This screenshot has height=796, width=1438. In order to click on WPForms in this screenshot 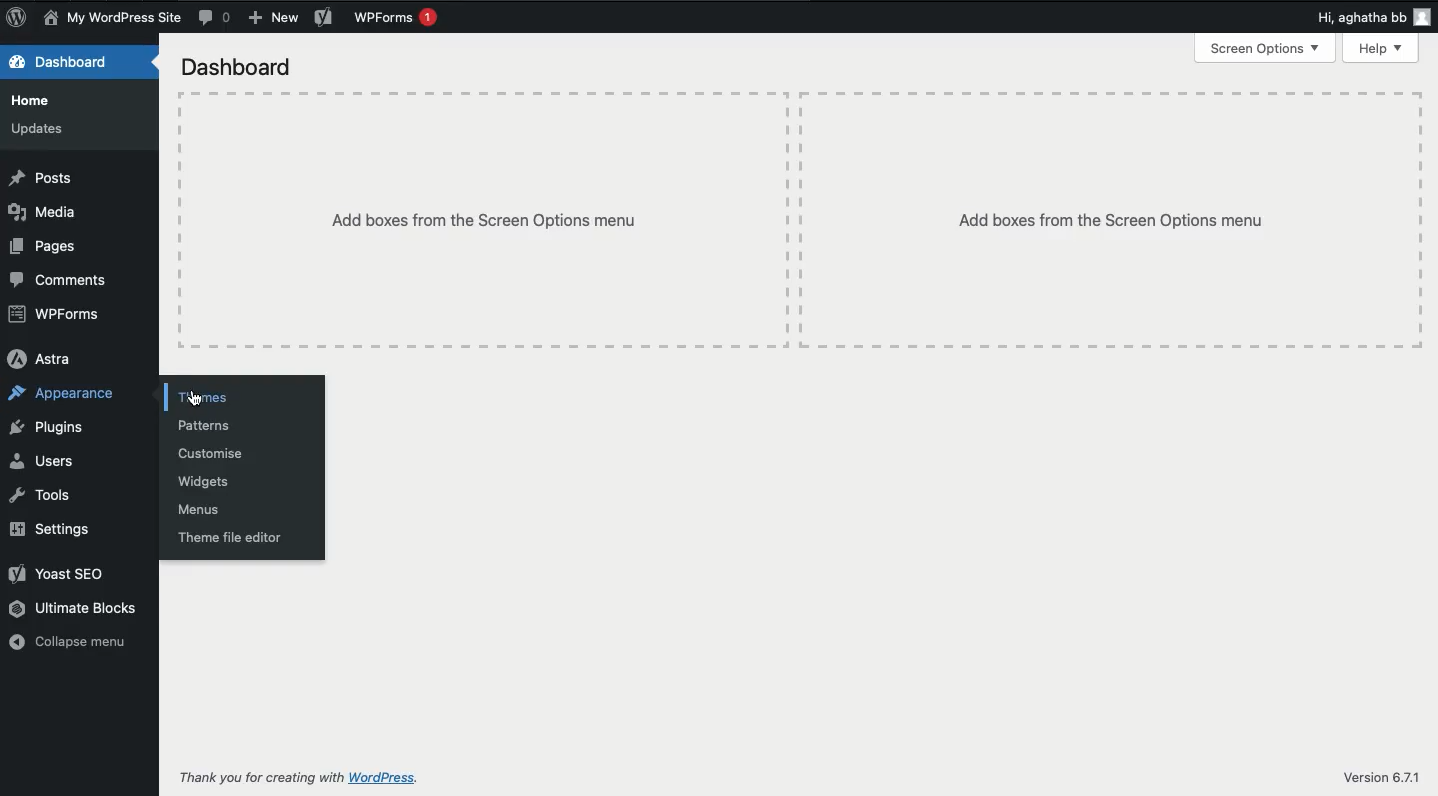, I will do `click(394, 18)`.